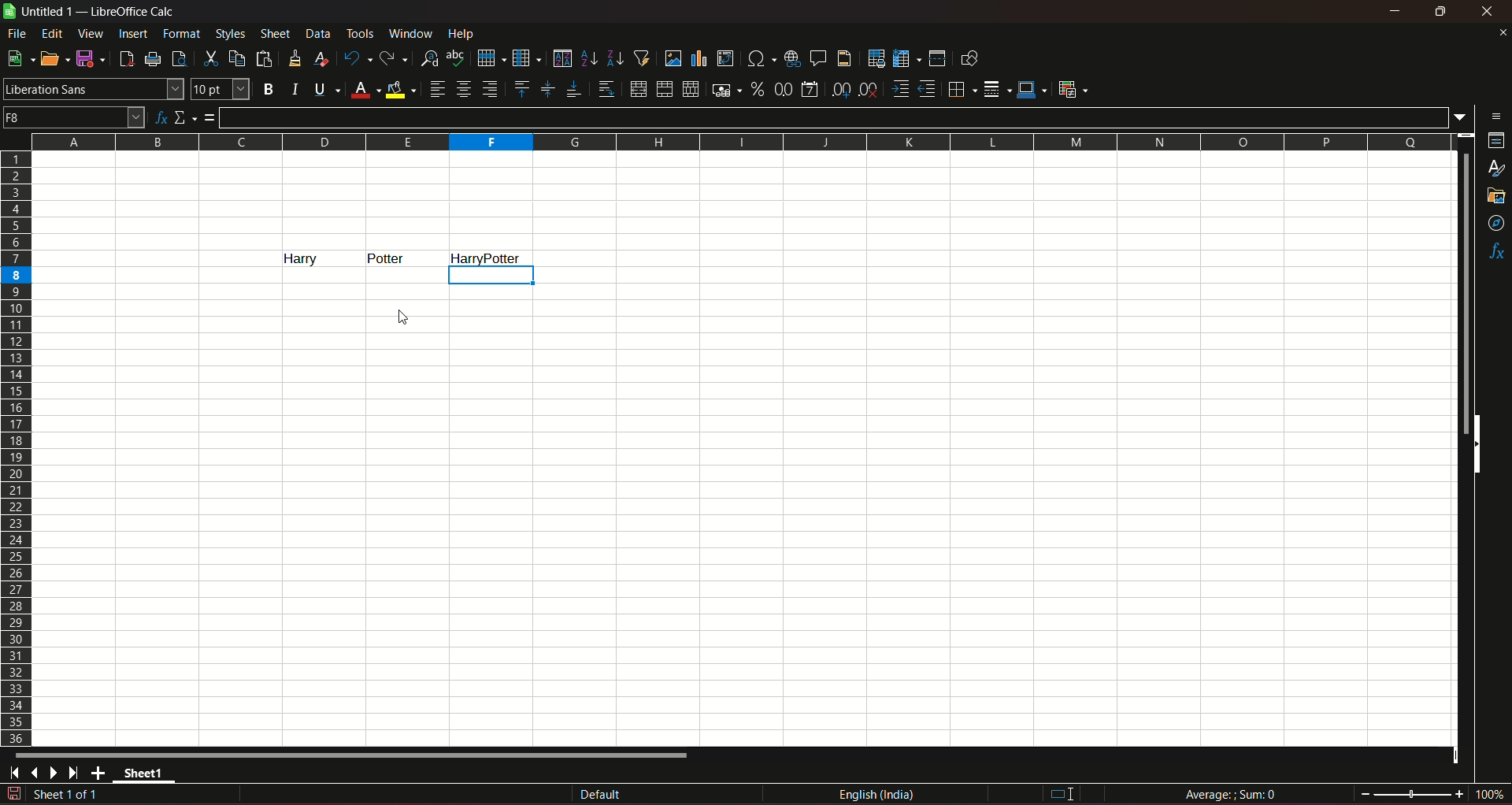 The image size is (1512, 805). What do you see at coordinates (186, 117) in the screenshot?
I see `select function` at bounding box center [186, 117].